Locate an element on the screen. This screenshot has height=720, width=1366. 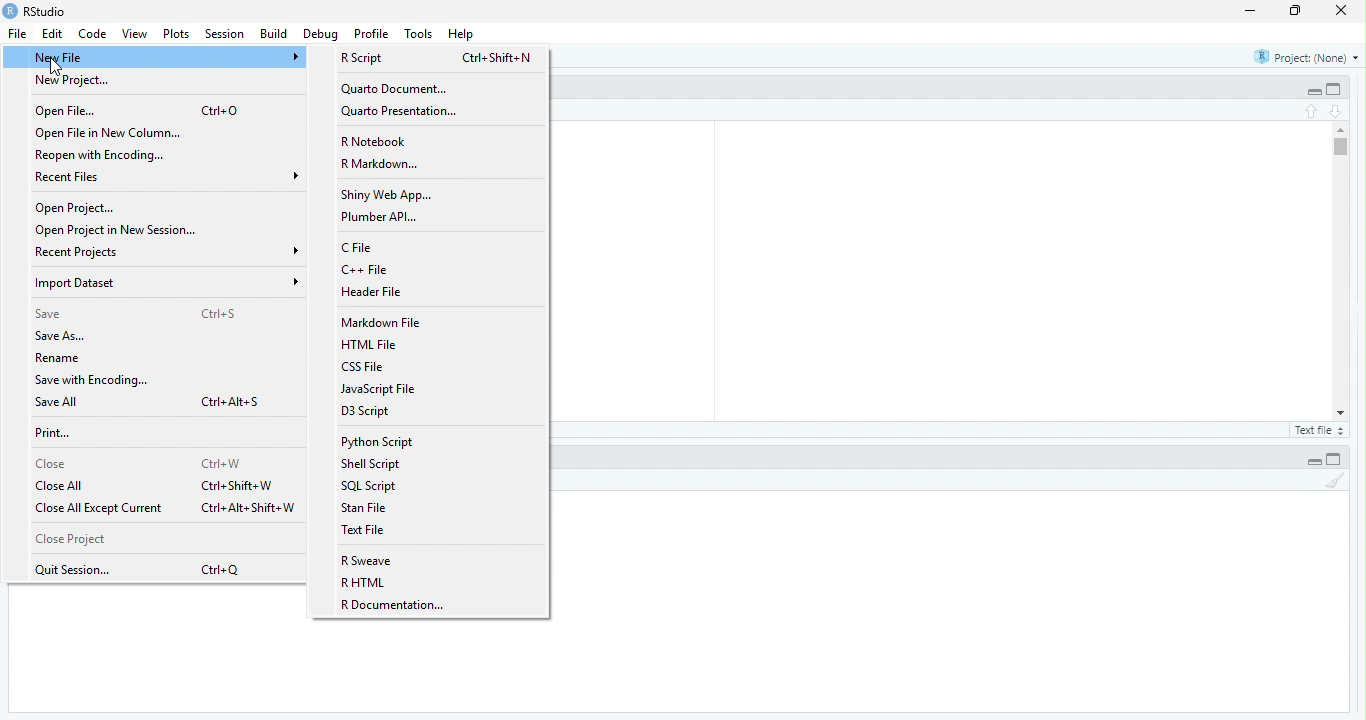
Quit Session... is located at coordinates (75, 571).